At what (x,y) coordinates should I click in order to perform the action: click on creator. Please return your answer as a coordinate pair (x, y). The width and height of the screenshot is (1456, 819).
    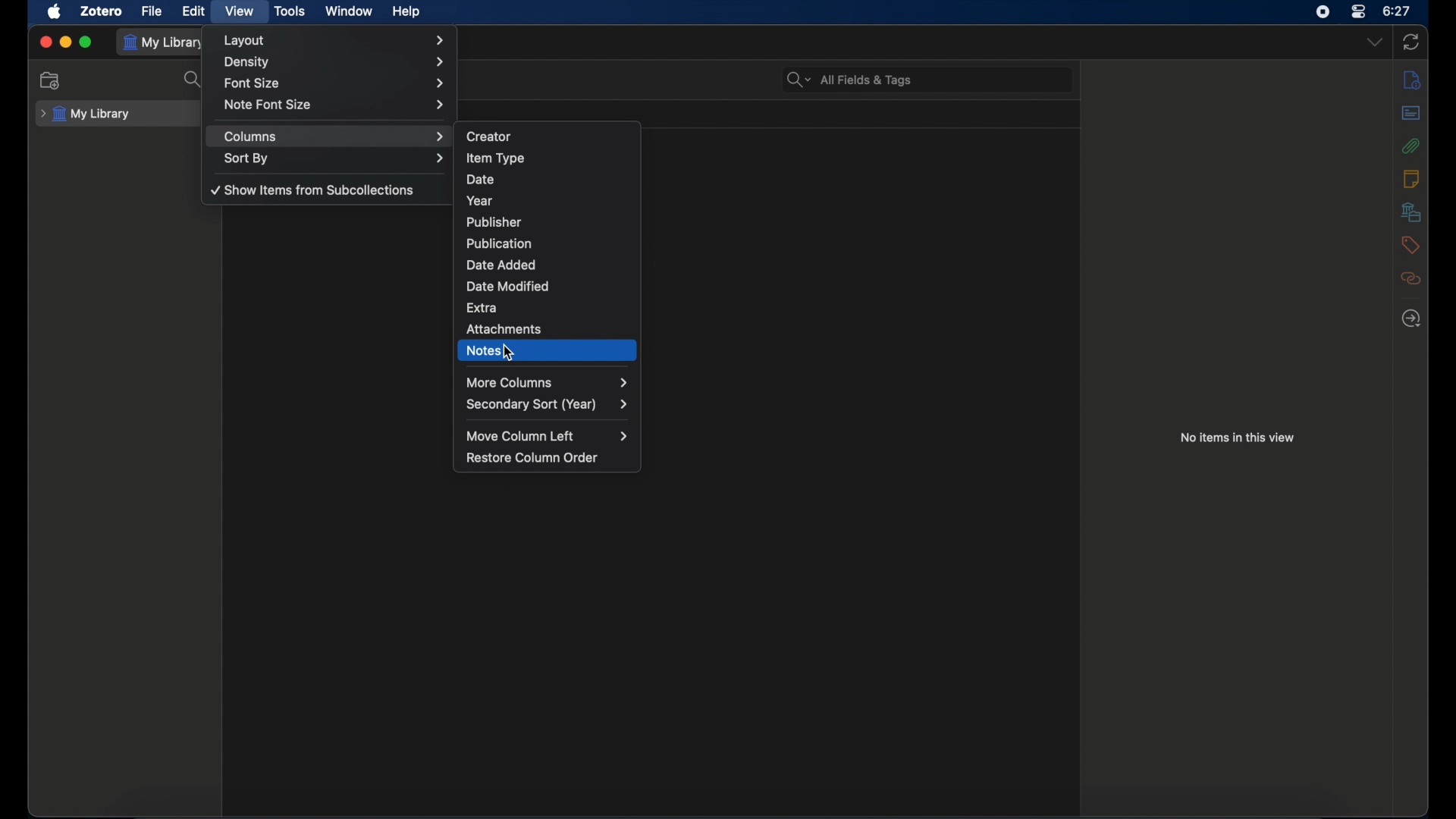
    Looking at the image, I should click on (490, 135).